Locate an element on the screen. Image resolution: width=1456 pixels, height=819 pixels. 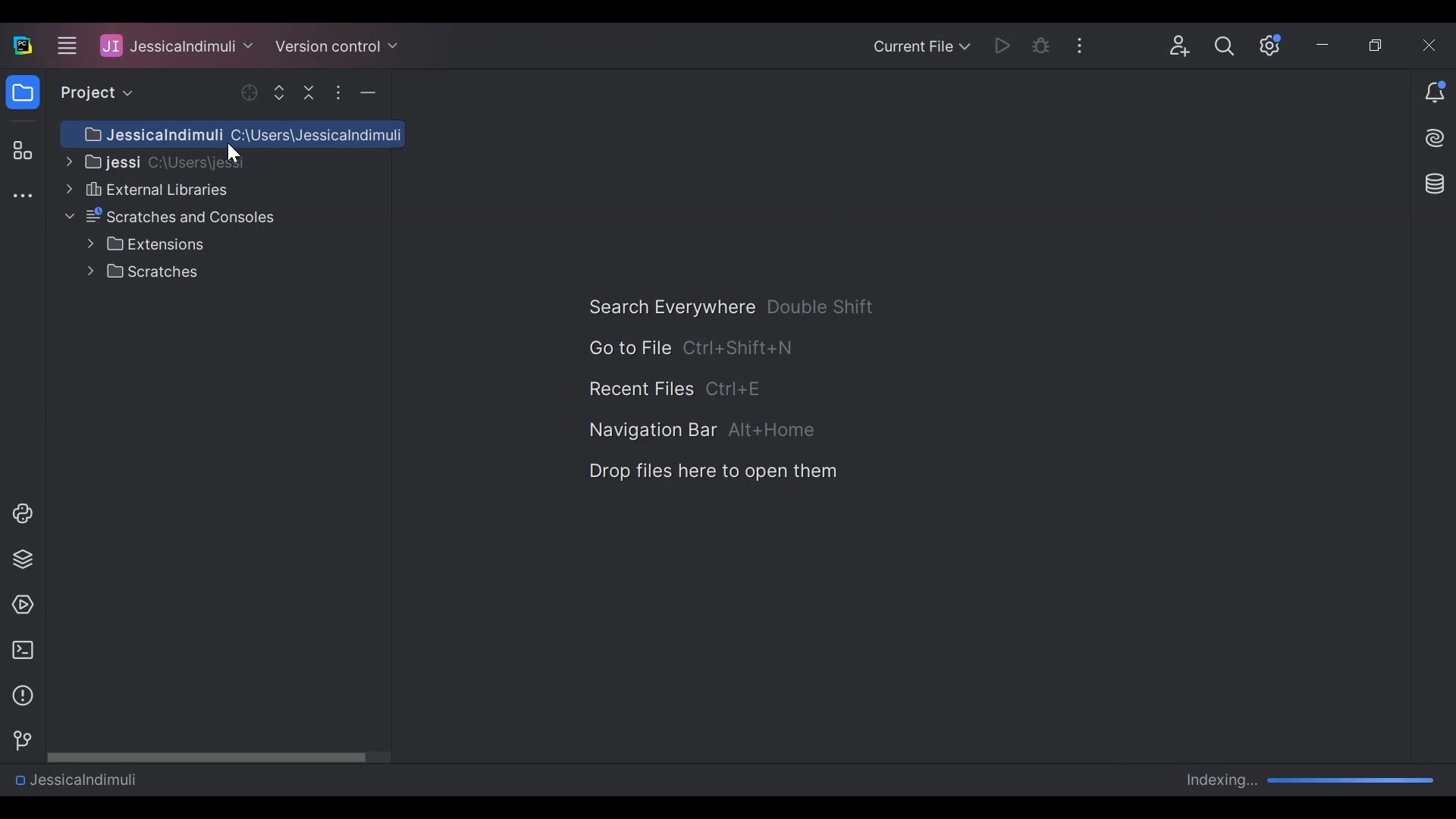
Notification is located at coordinates (1435, 94).